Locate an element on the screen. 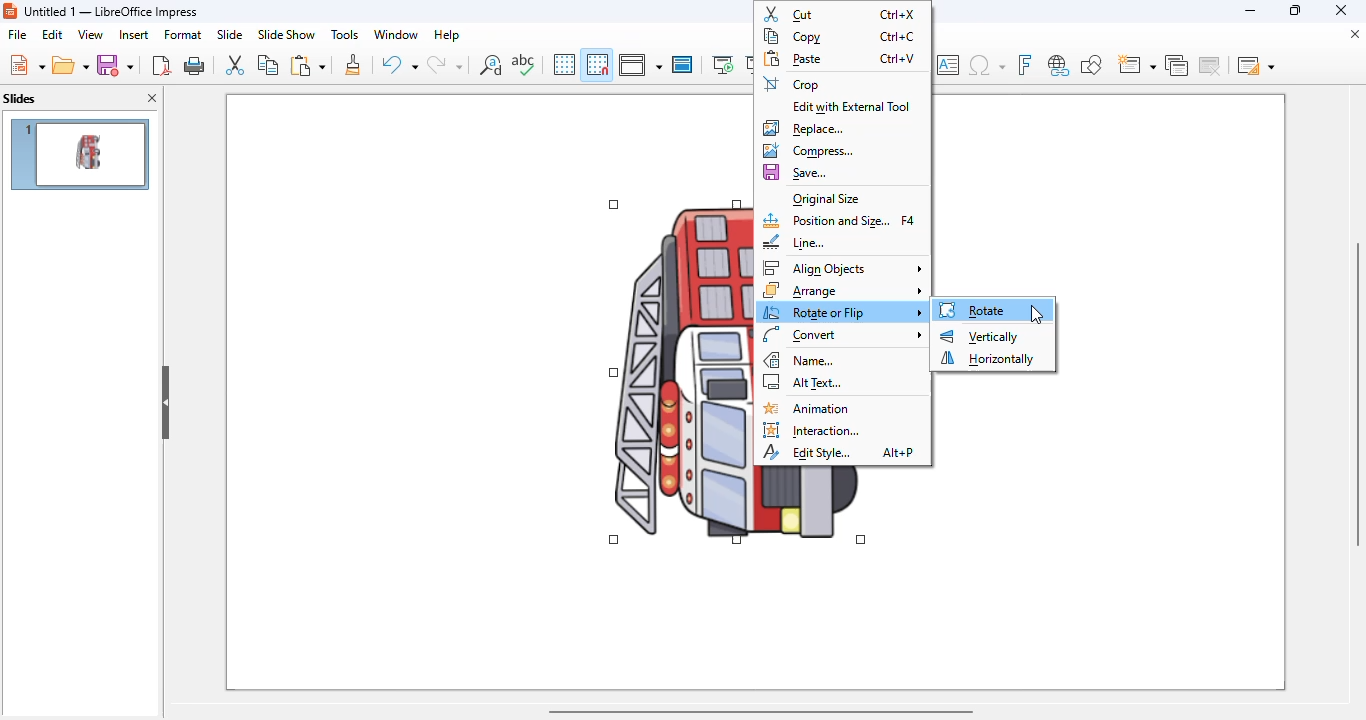 The height and width of the screenshot is (720, 1366). vertical scroll bar is located at coordinates (1358, 393).